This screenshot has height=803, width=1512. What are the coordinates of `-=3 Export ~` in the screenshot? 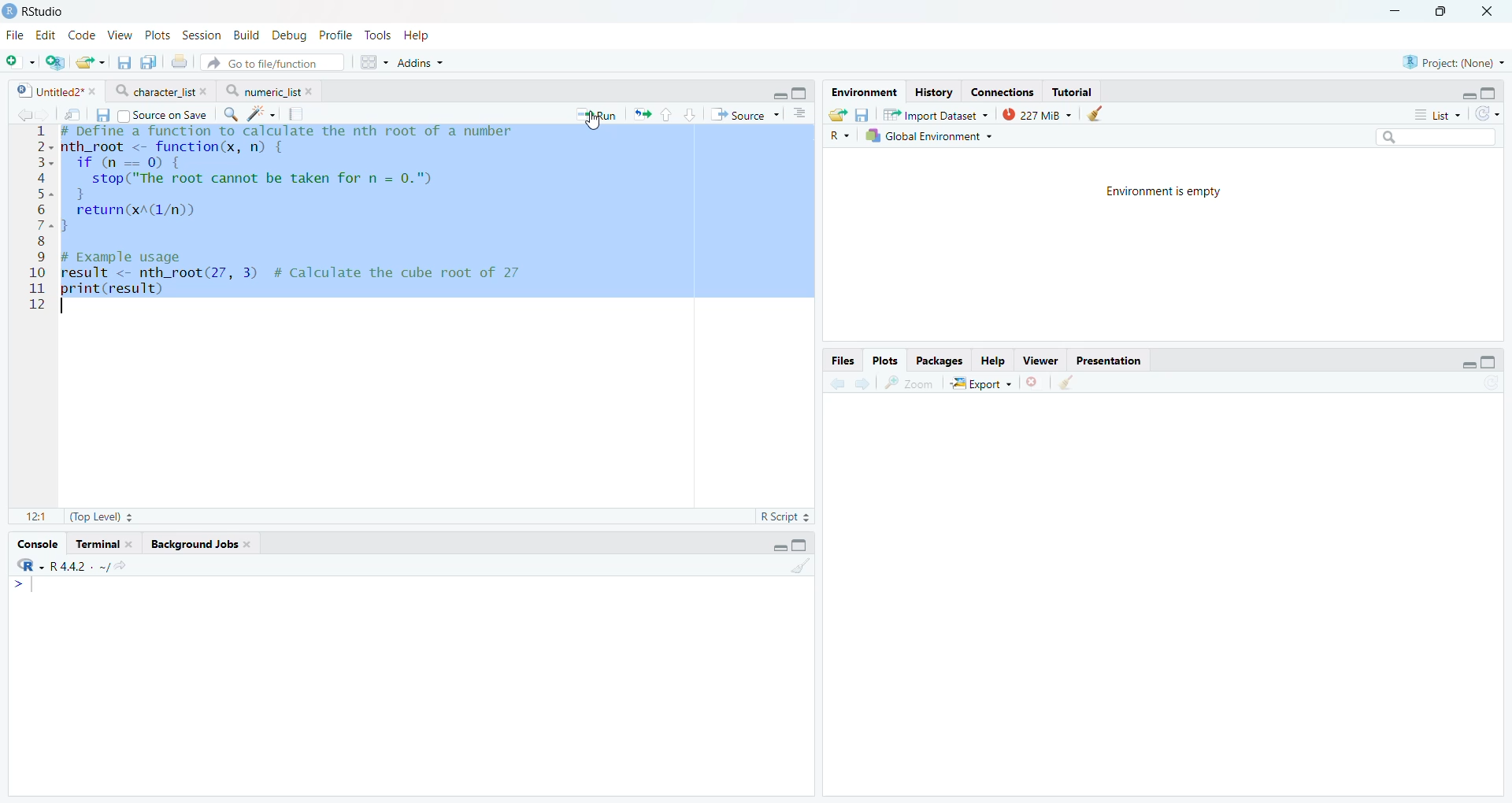 It's located at (980, 384).